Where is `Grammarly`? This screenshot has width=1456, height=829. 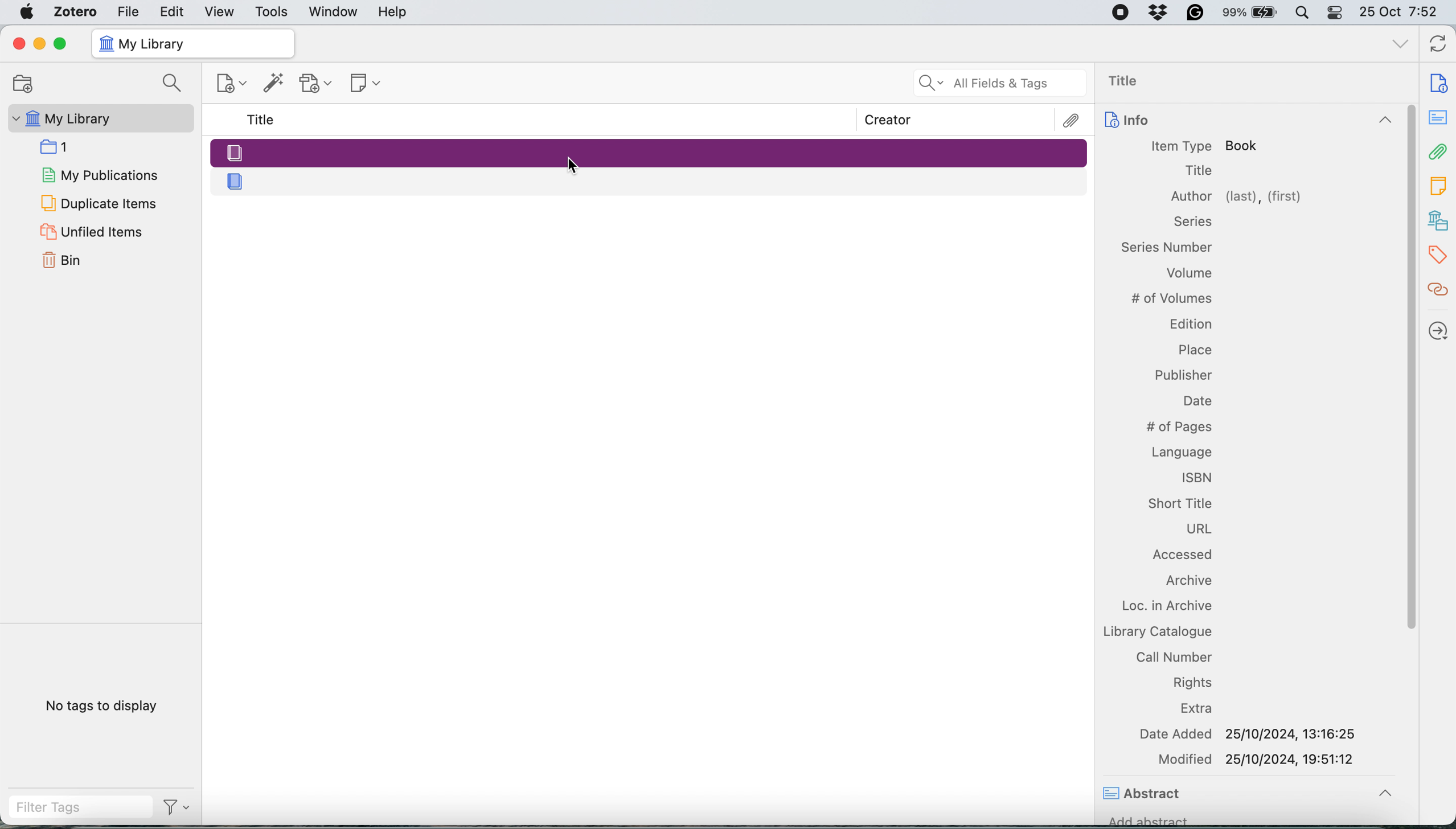
Grammarly is located at coordinates (1196, 12).